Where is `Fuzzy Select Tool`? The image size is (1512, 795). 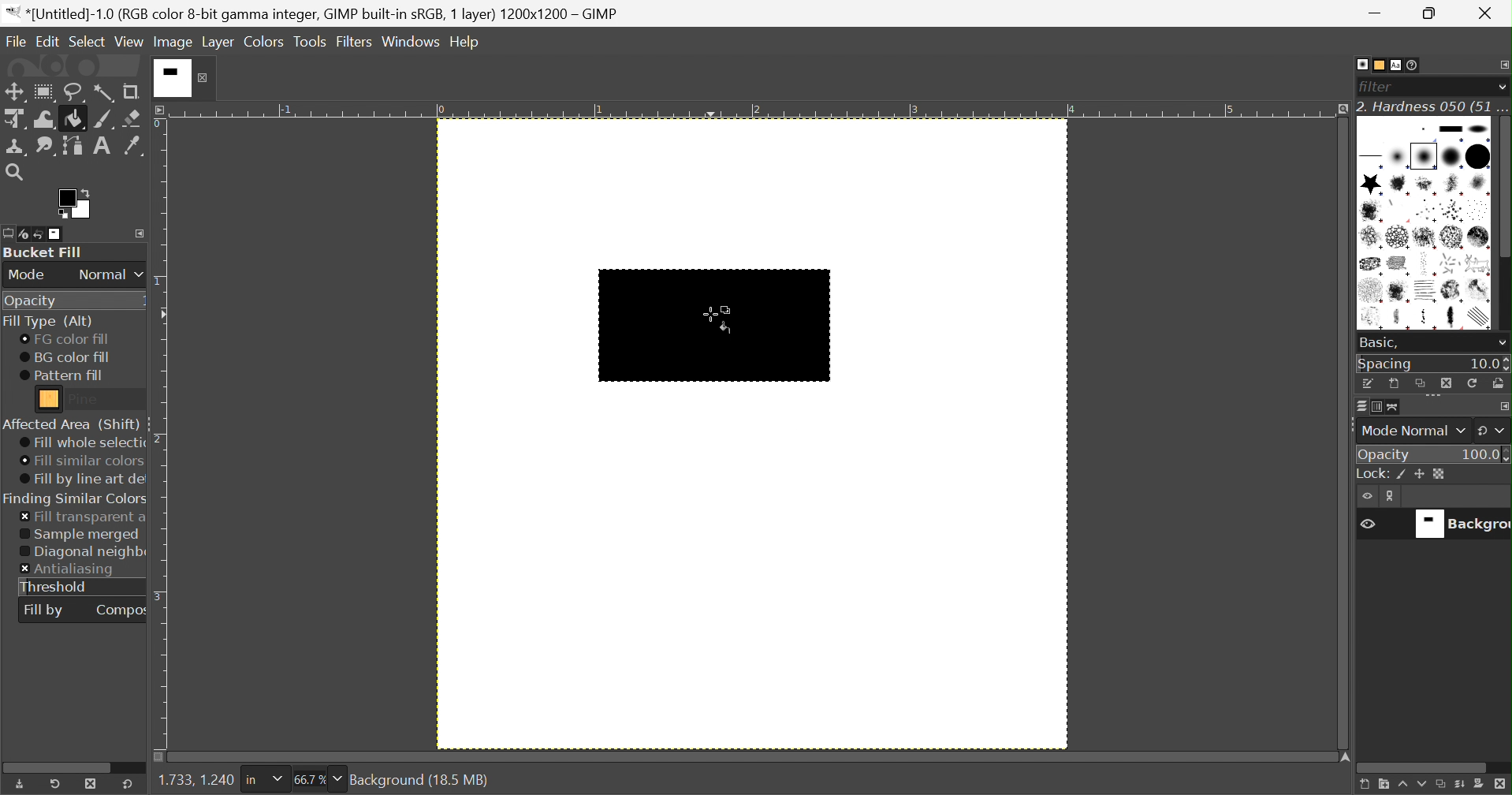
Fuzzy Select Tool is located at coordinates (104, 93).